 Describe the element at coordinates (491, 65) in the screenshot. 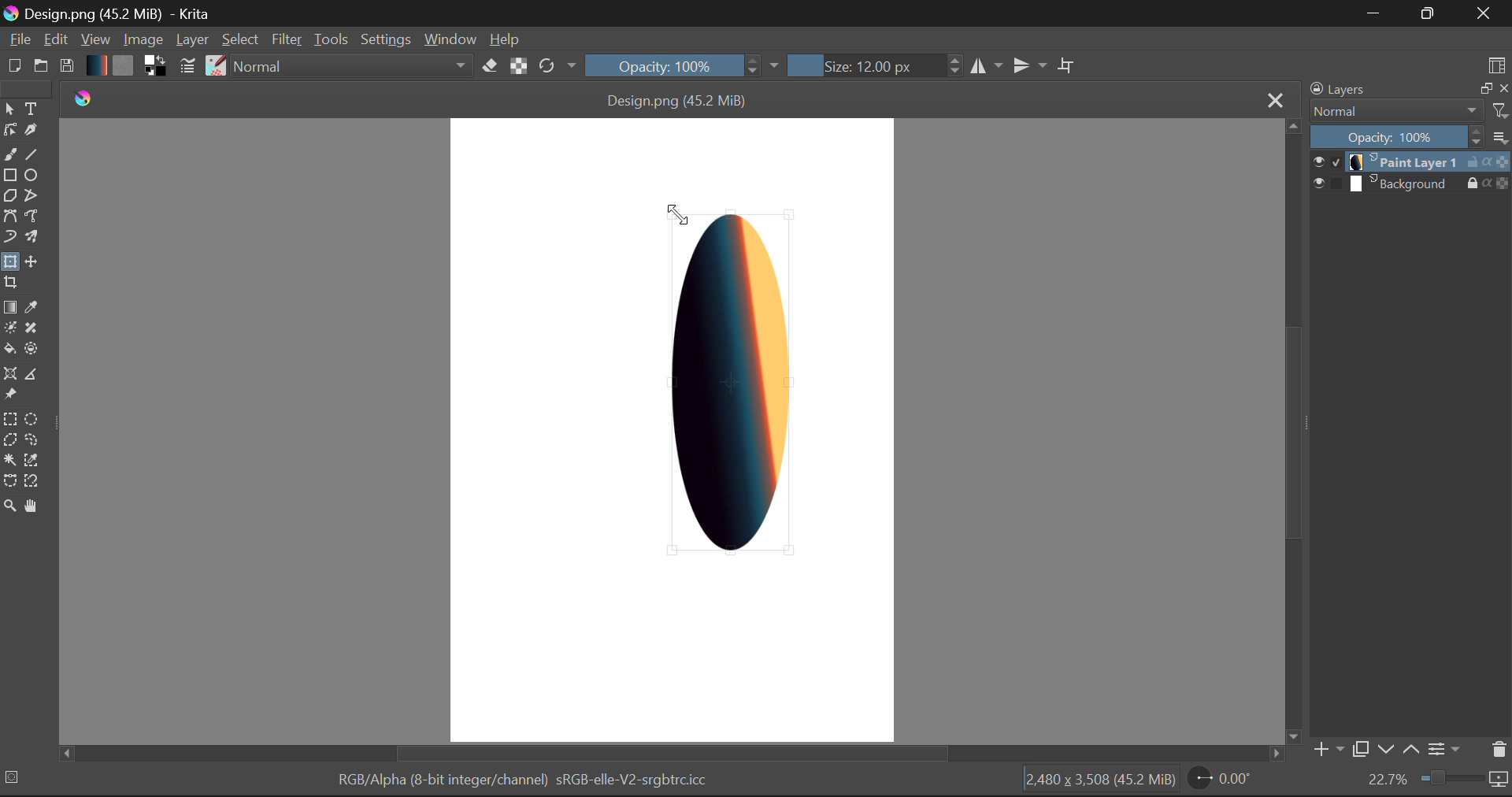

I see `Eraser` at that location.